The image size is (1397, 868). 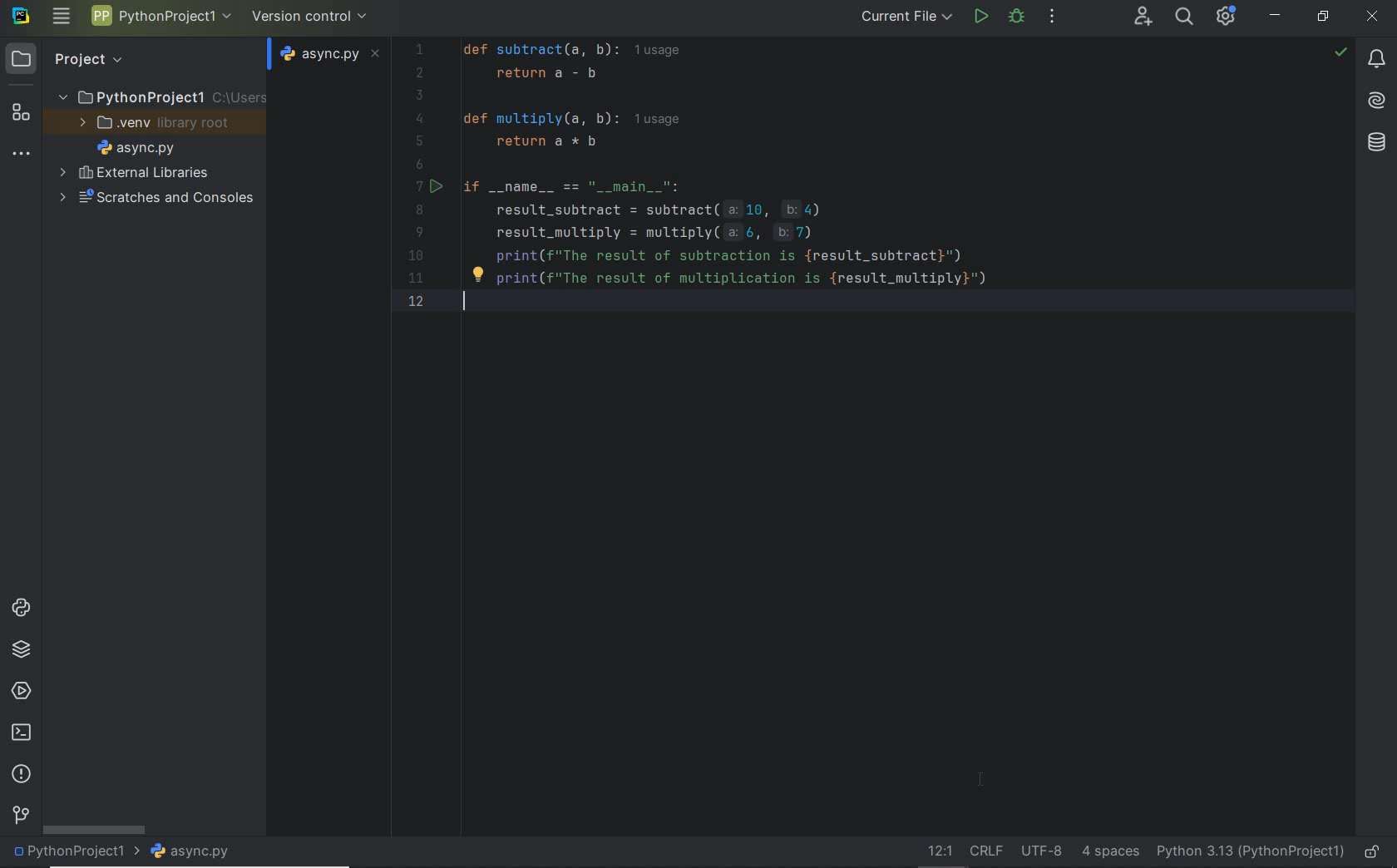 I want to click on Version Control, so click(x=310, y=17).